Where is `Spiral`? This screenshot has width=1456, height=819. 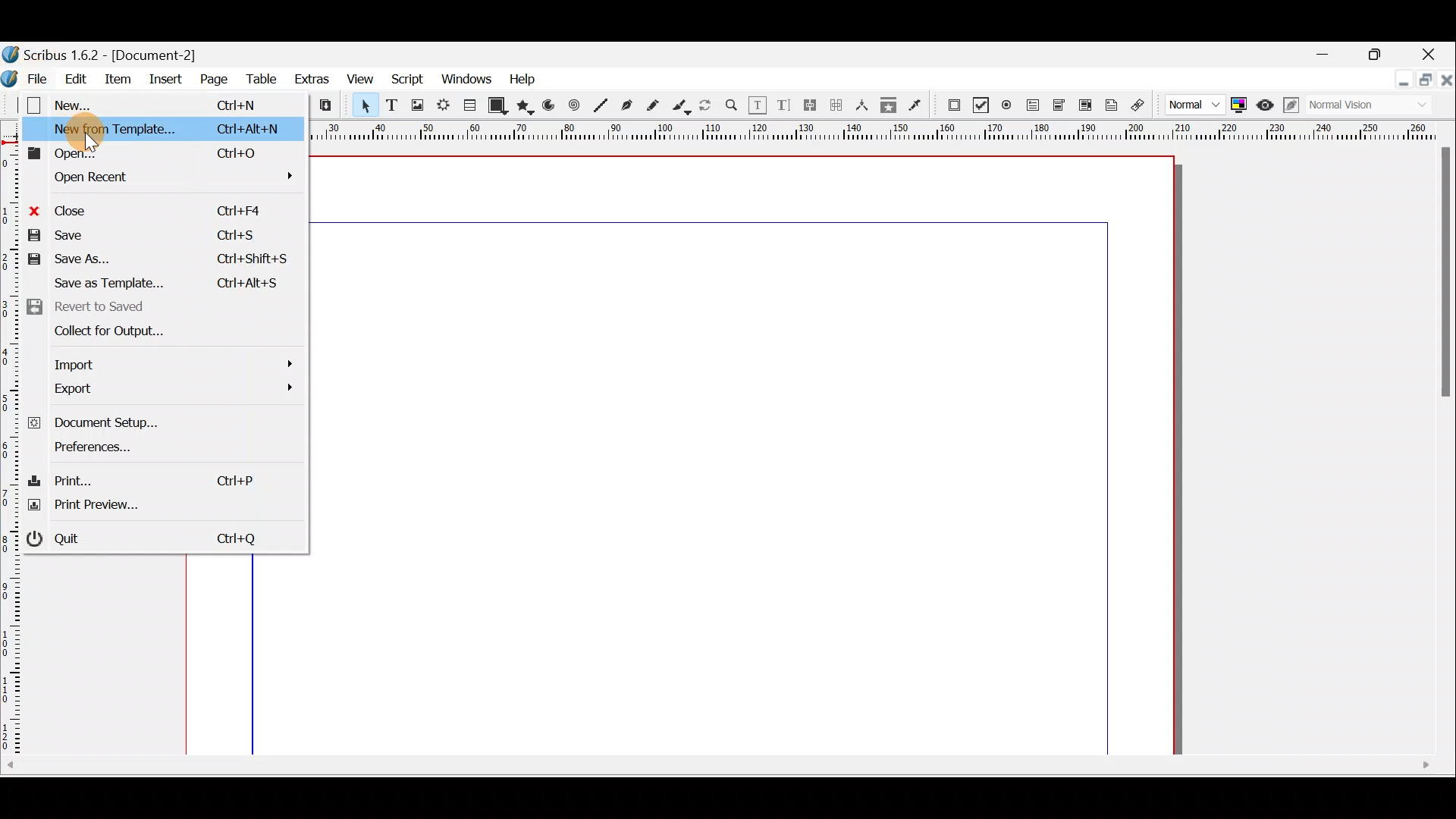 Spiral is located at coordinates (574, 105).